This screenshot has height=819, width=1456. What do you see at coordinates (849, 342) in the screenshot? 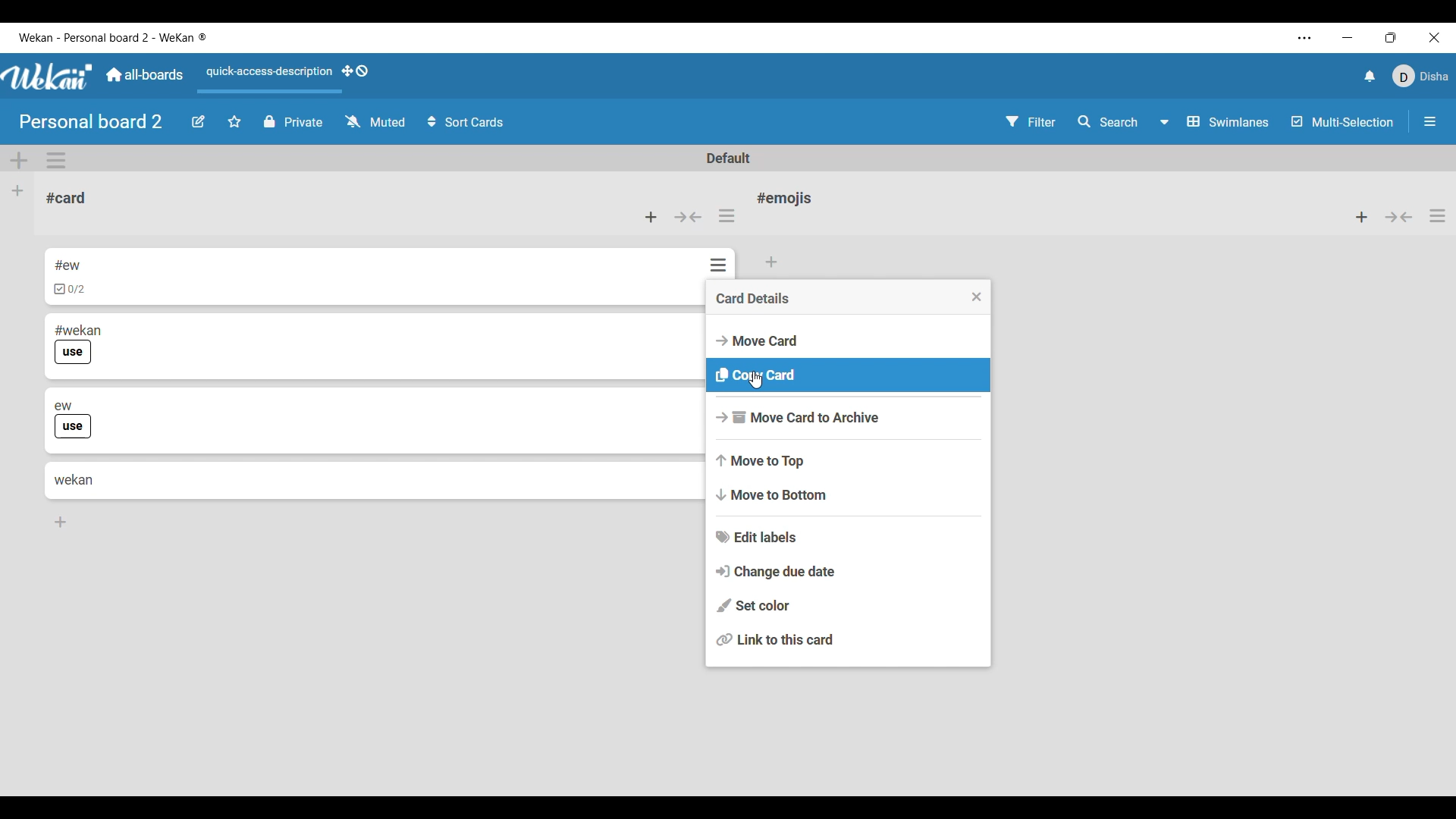
I see `Move card` at bounding box center [849, 342].